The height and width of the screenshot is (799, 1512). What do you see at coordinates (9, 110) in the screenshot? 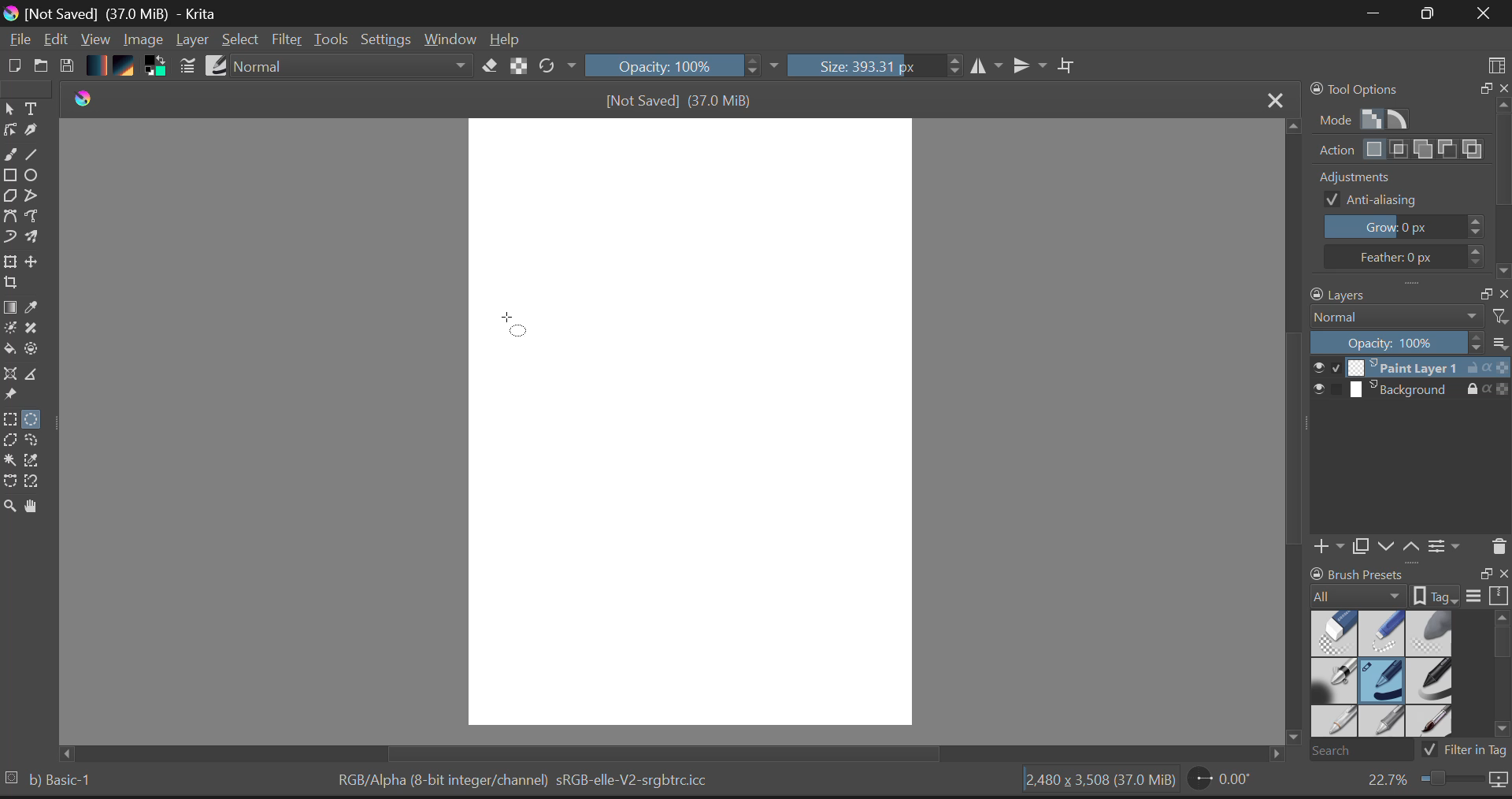
I see `Select` at bounding box center [9, 110].